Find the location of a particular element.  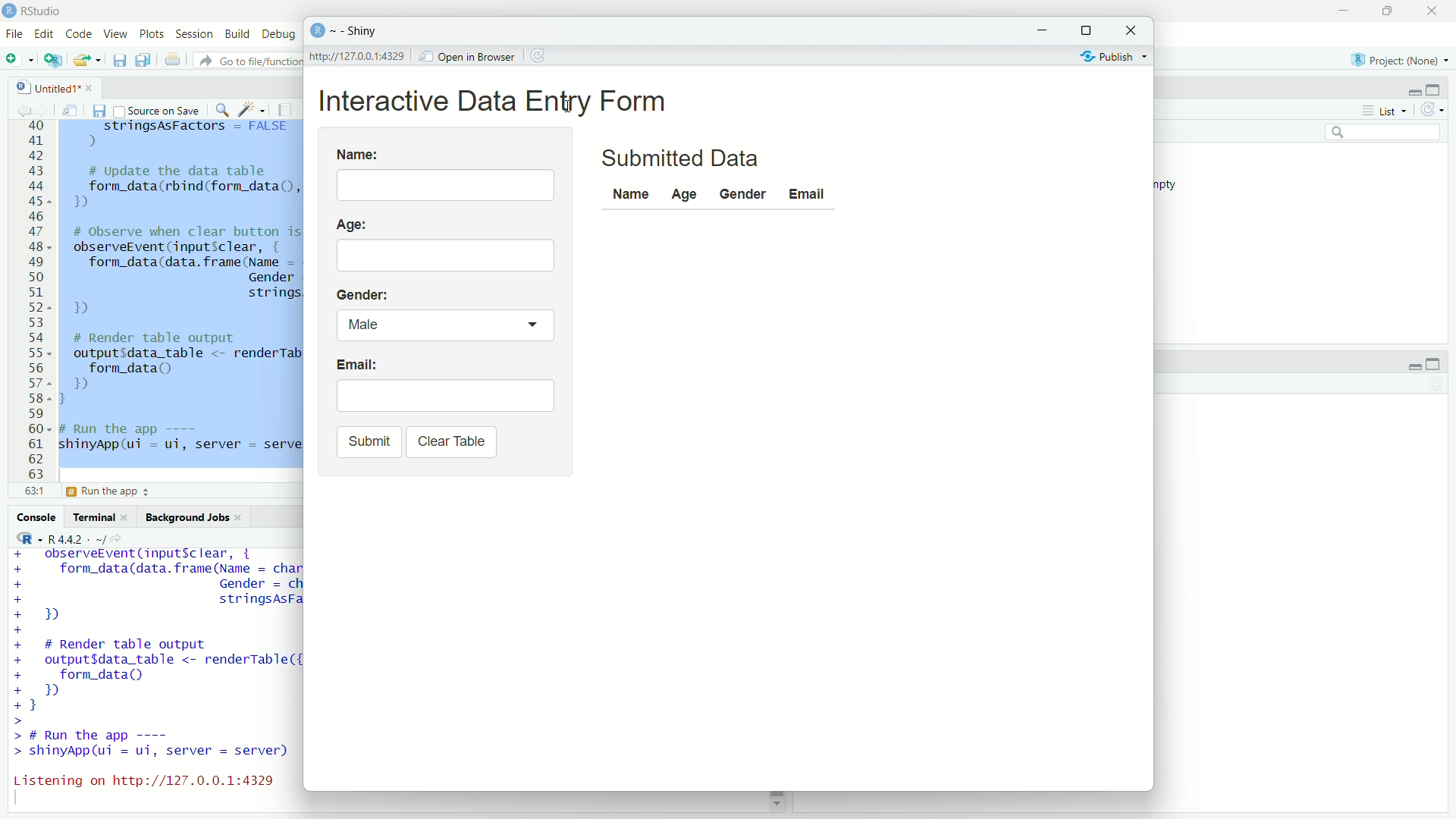

input field for email is located at coordinates (445, 395).